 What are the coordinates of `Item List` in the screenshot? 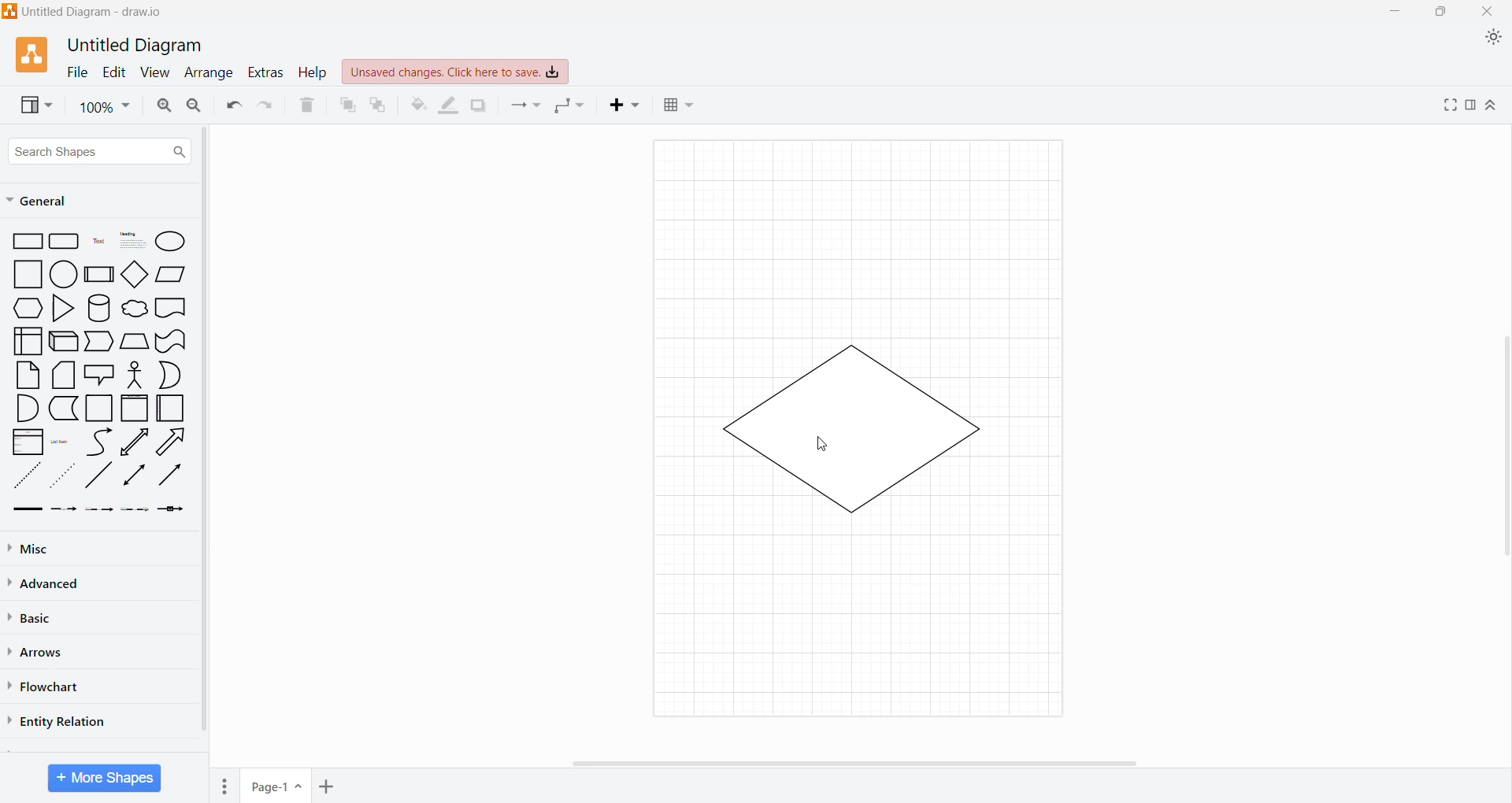 It's located at (28, 442).